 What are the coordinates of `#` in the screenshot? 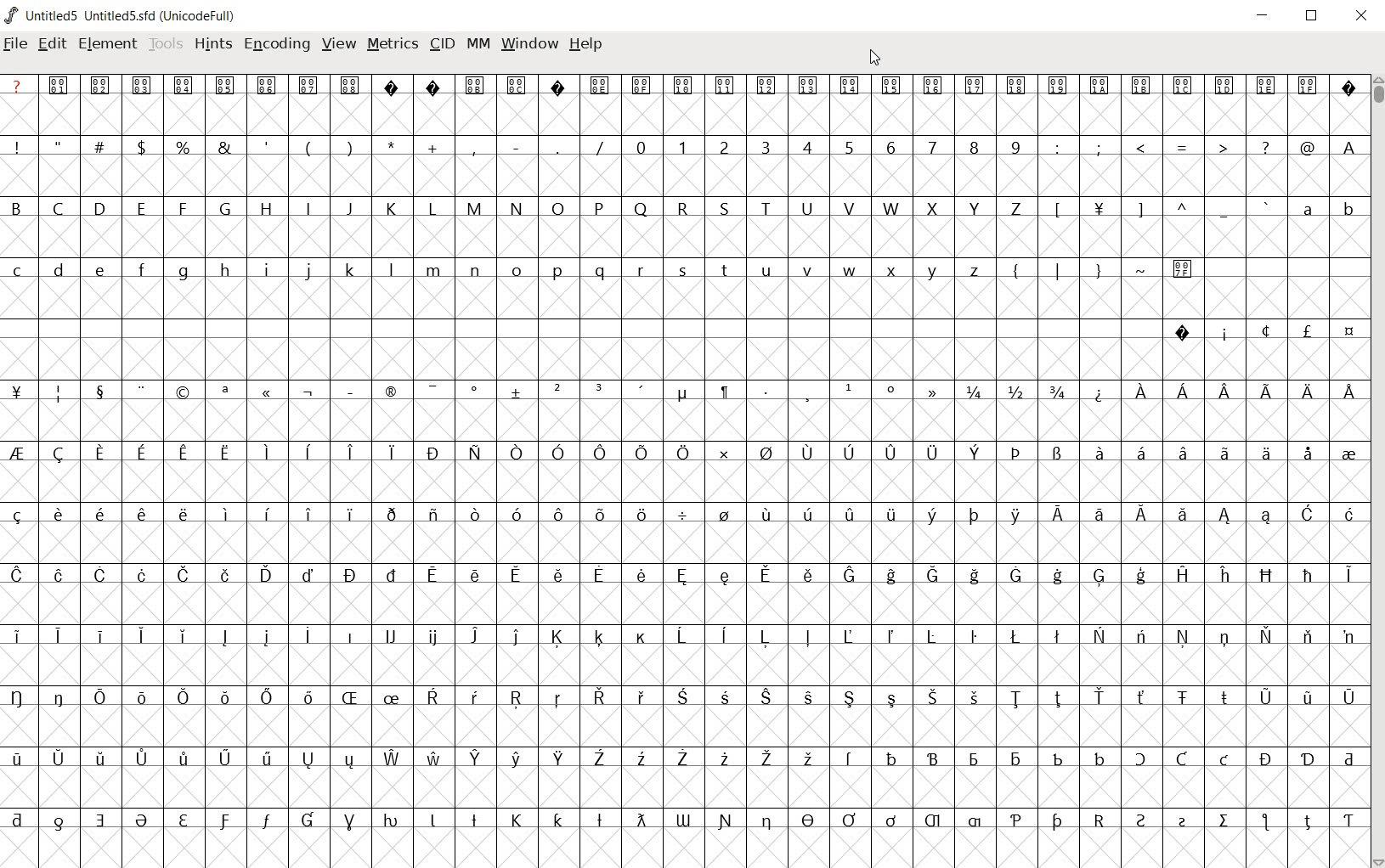 It's located at (104, 148).